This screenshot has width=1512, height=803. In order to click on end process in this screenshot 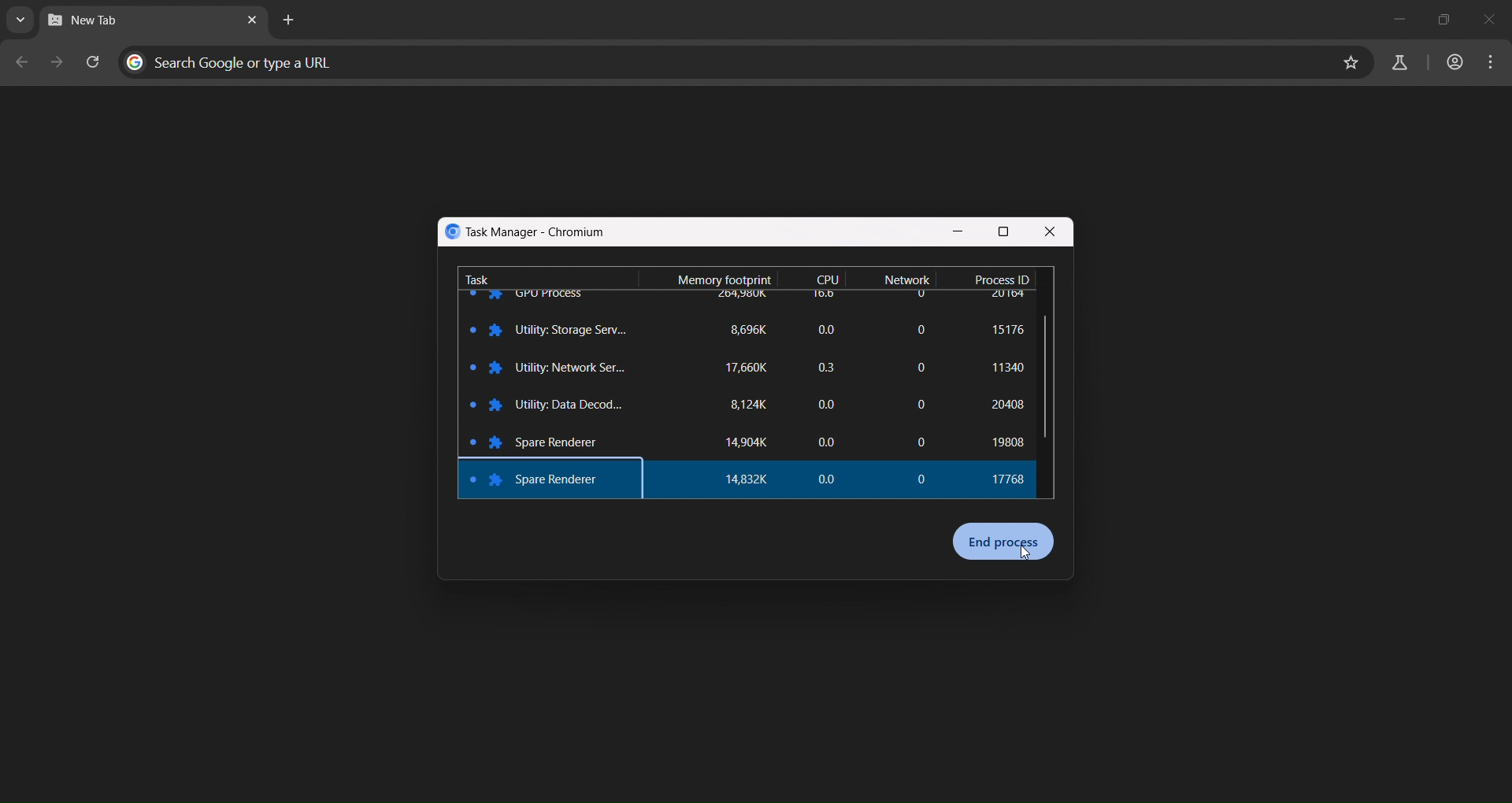, I will do `click(1005, 542)`.